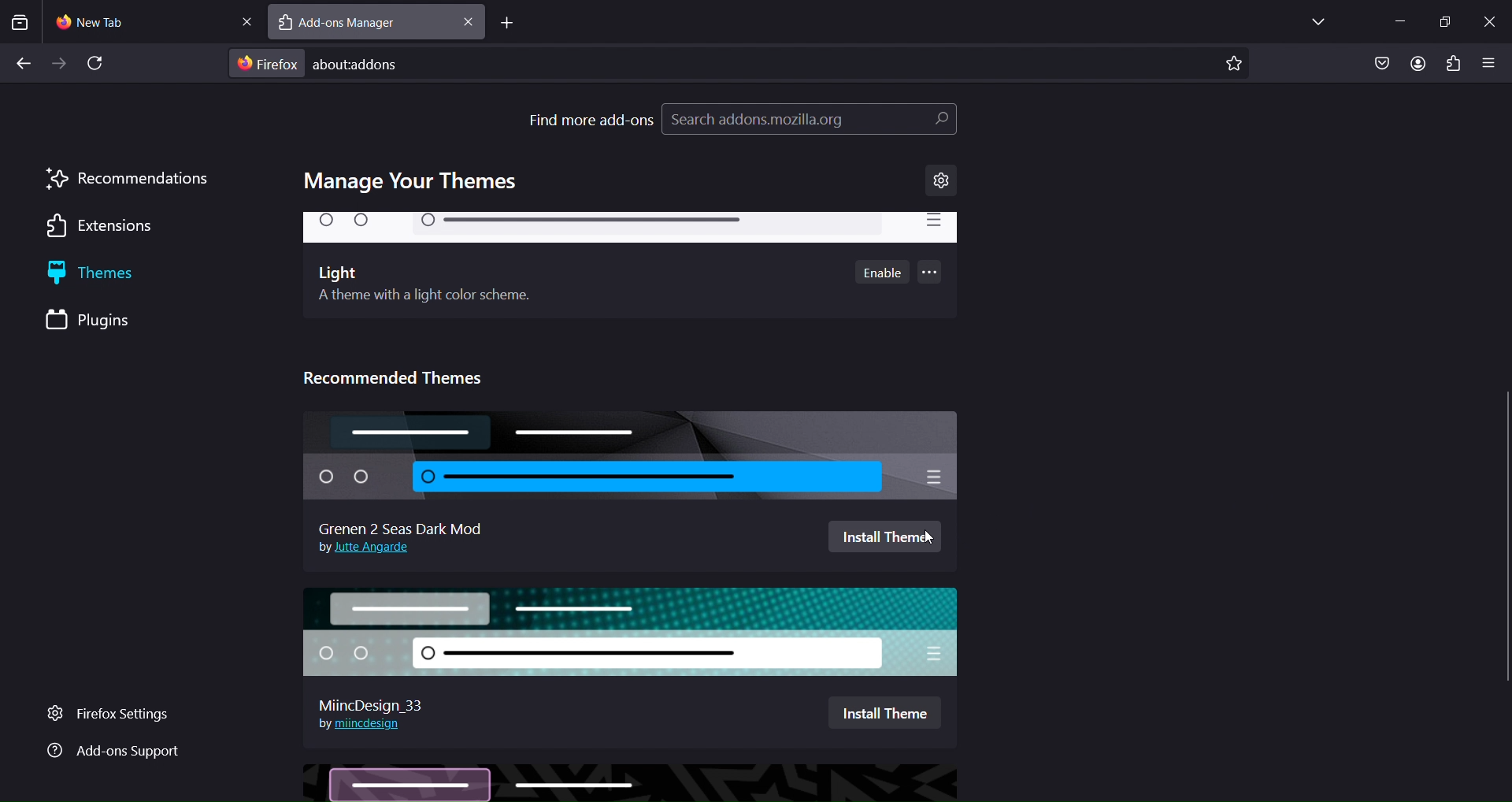 Image resolution: width=1512 pixels, height=802 pixels. I want to click on Light A theme with a light color scheme., so click(425, 287).